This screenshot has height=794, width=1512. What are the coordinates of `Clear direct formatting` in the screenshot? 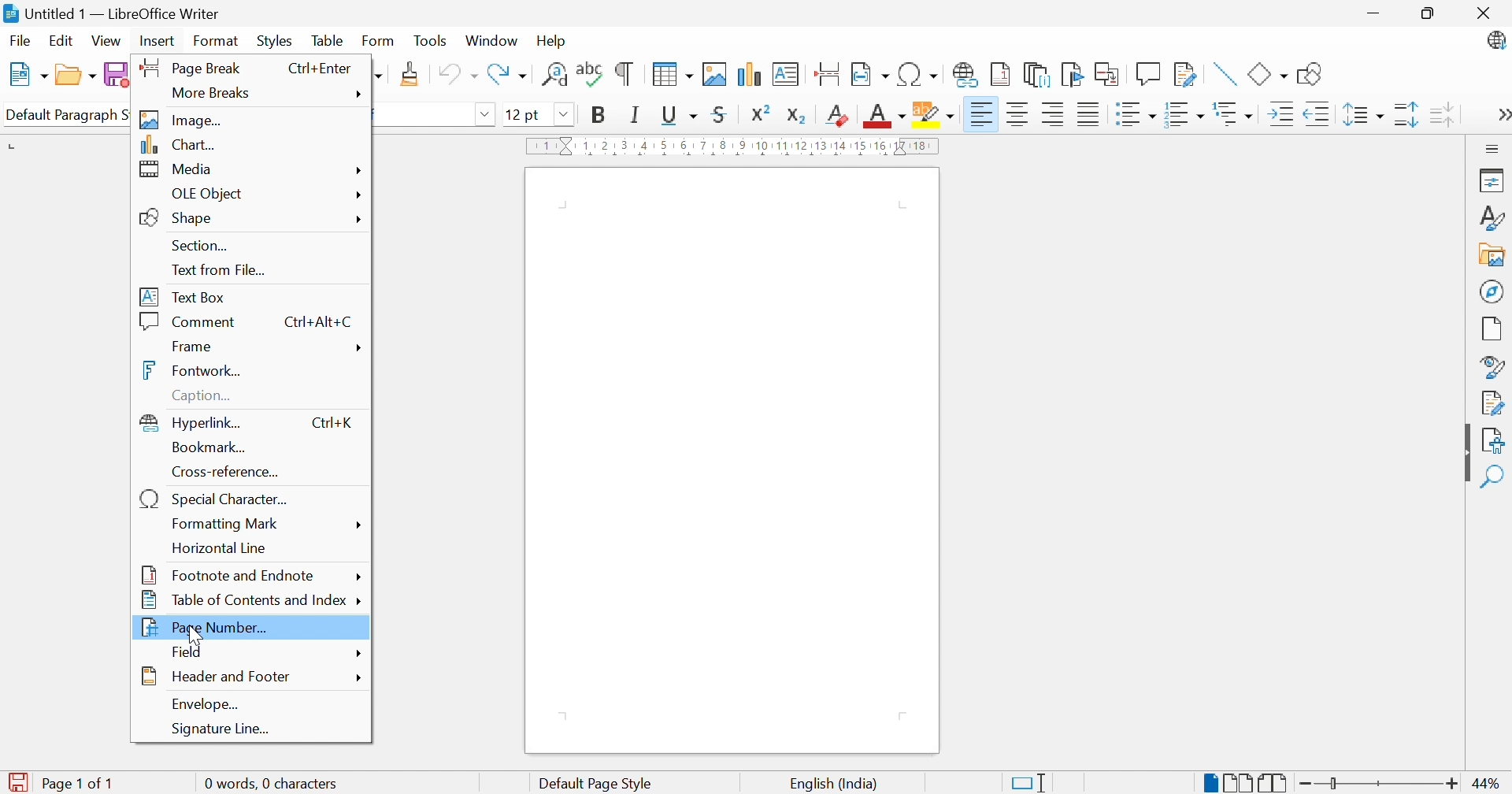 It's located at (835, 115).